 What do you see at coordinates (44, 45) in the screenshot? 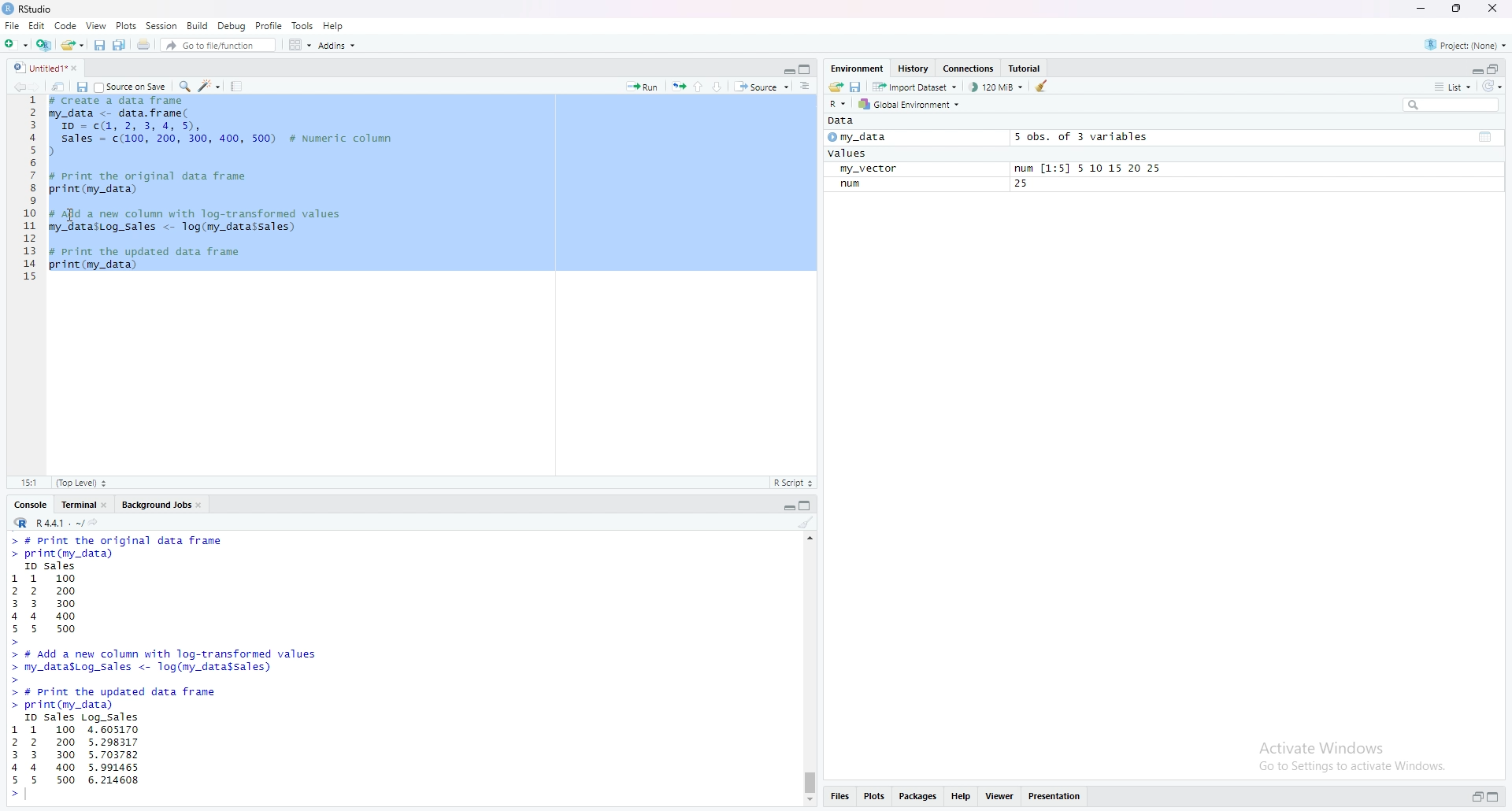
I see `create a project` at bounding box center [44, 45].